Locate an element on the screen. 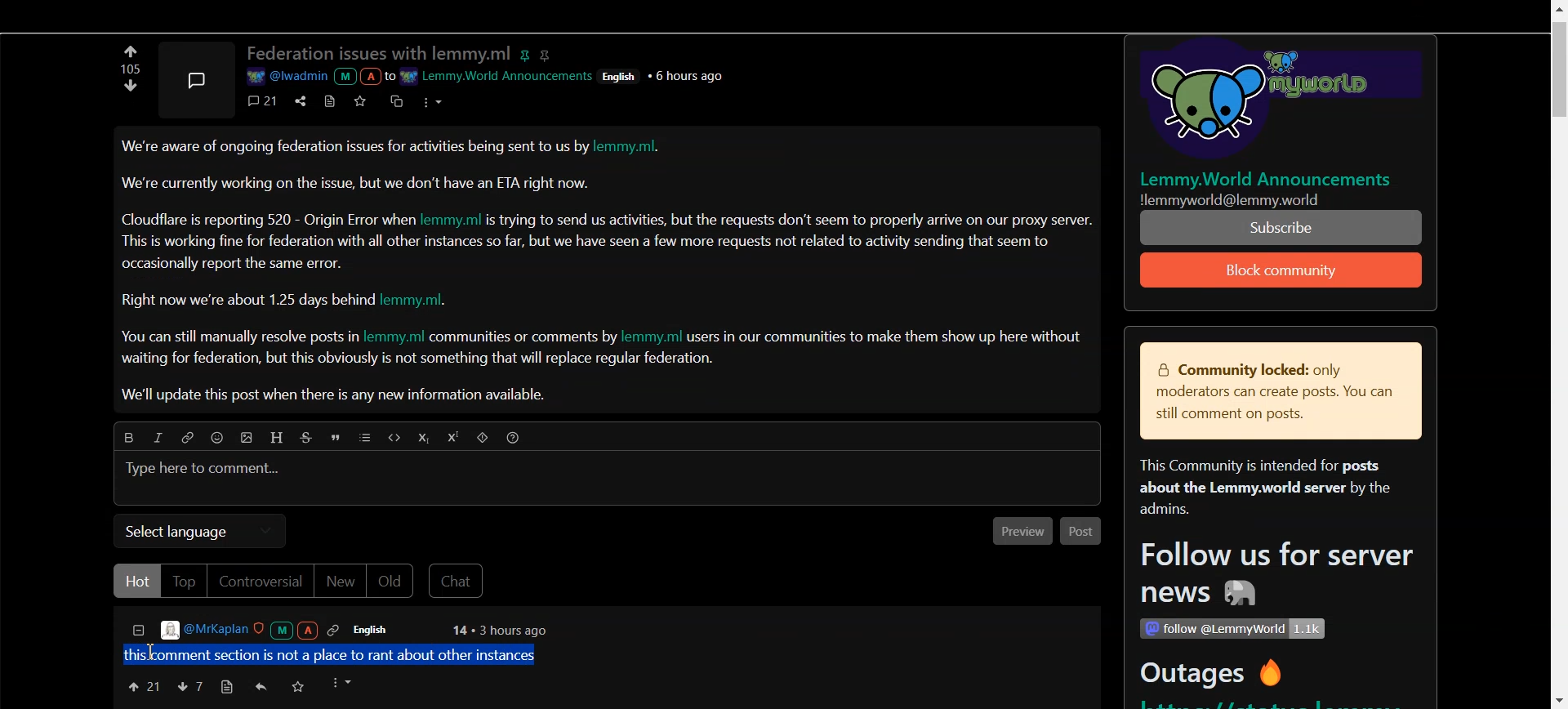  14 + 3 hours ago is located at coordinates (497, 631).